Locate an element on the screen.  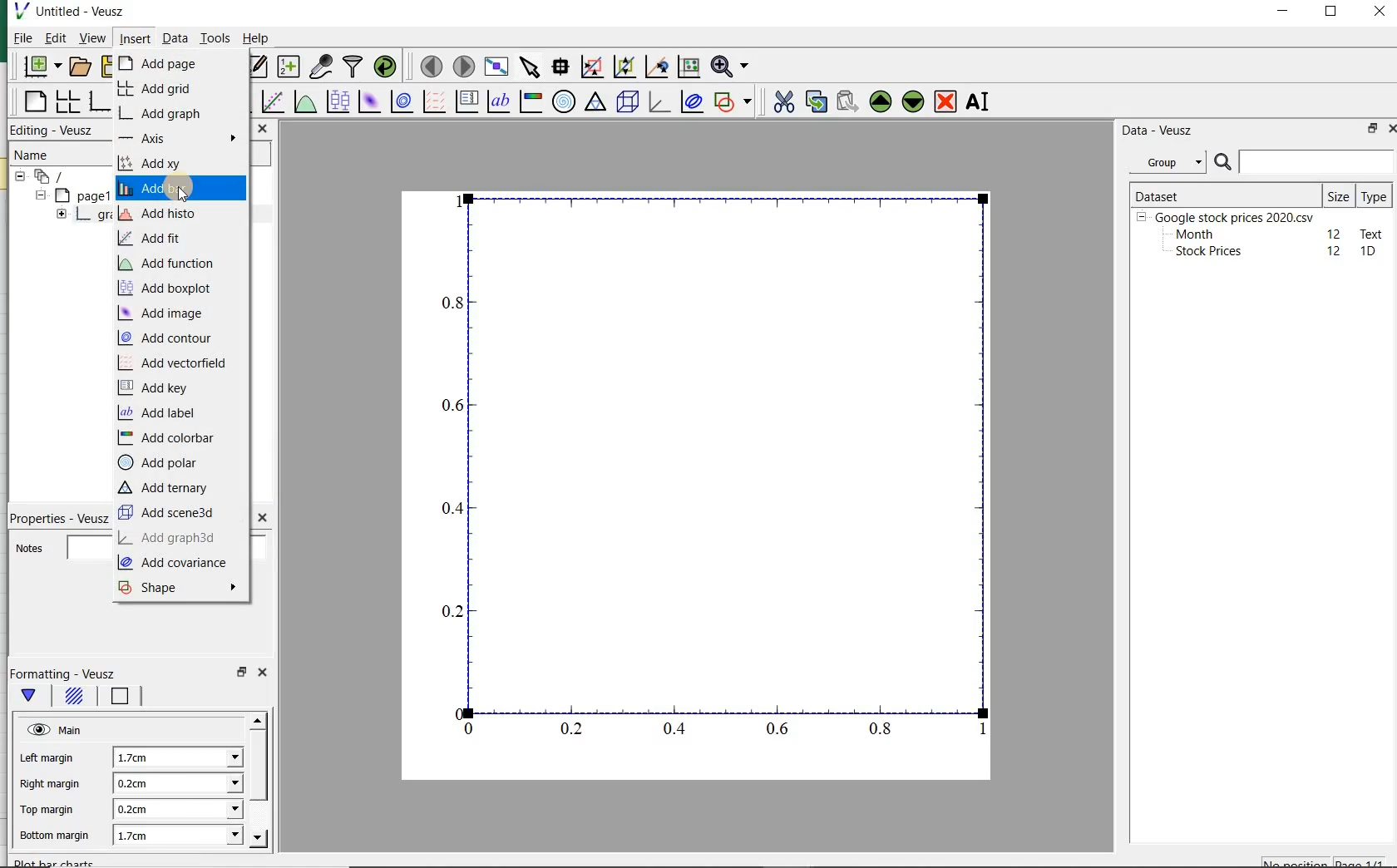
Formatting - Veusz is located at coordinates (69, 674).